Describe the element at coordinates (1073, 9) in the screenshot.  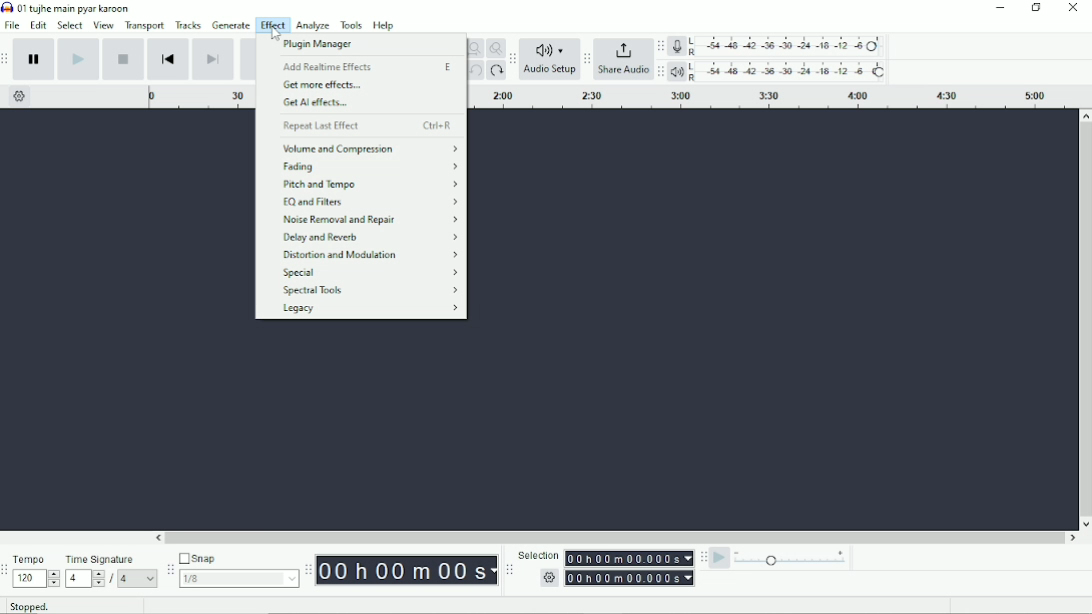
I see `Close` at that location.